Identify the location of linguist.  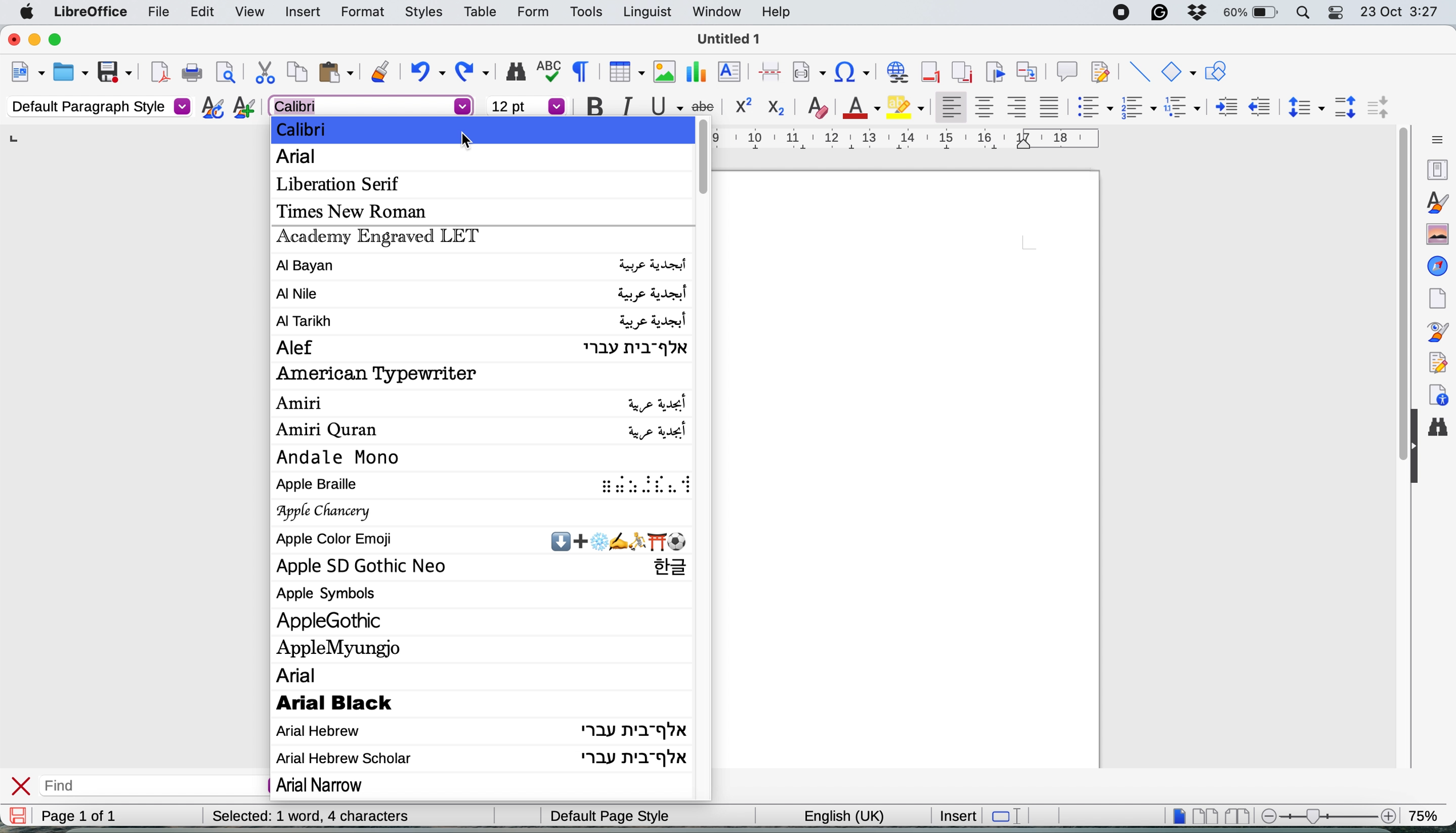
(644, 14).